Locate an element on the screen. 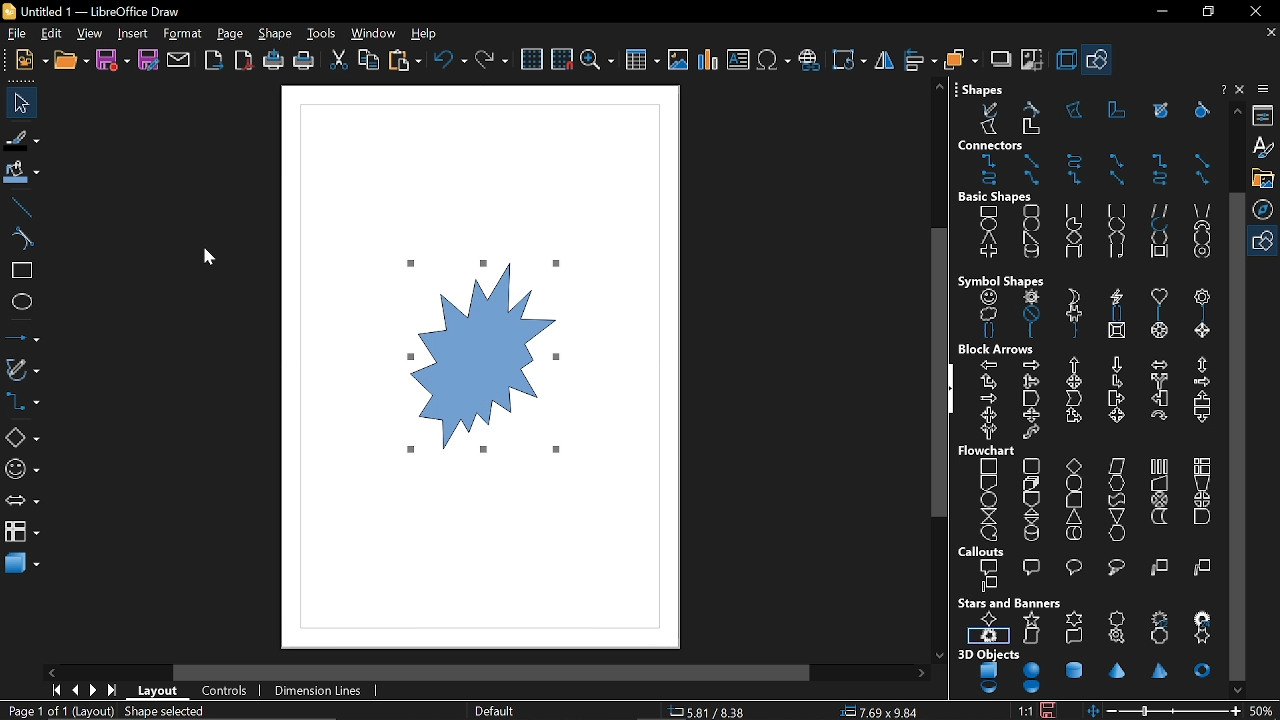  print is located at coordinates (302, 61).